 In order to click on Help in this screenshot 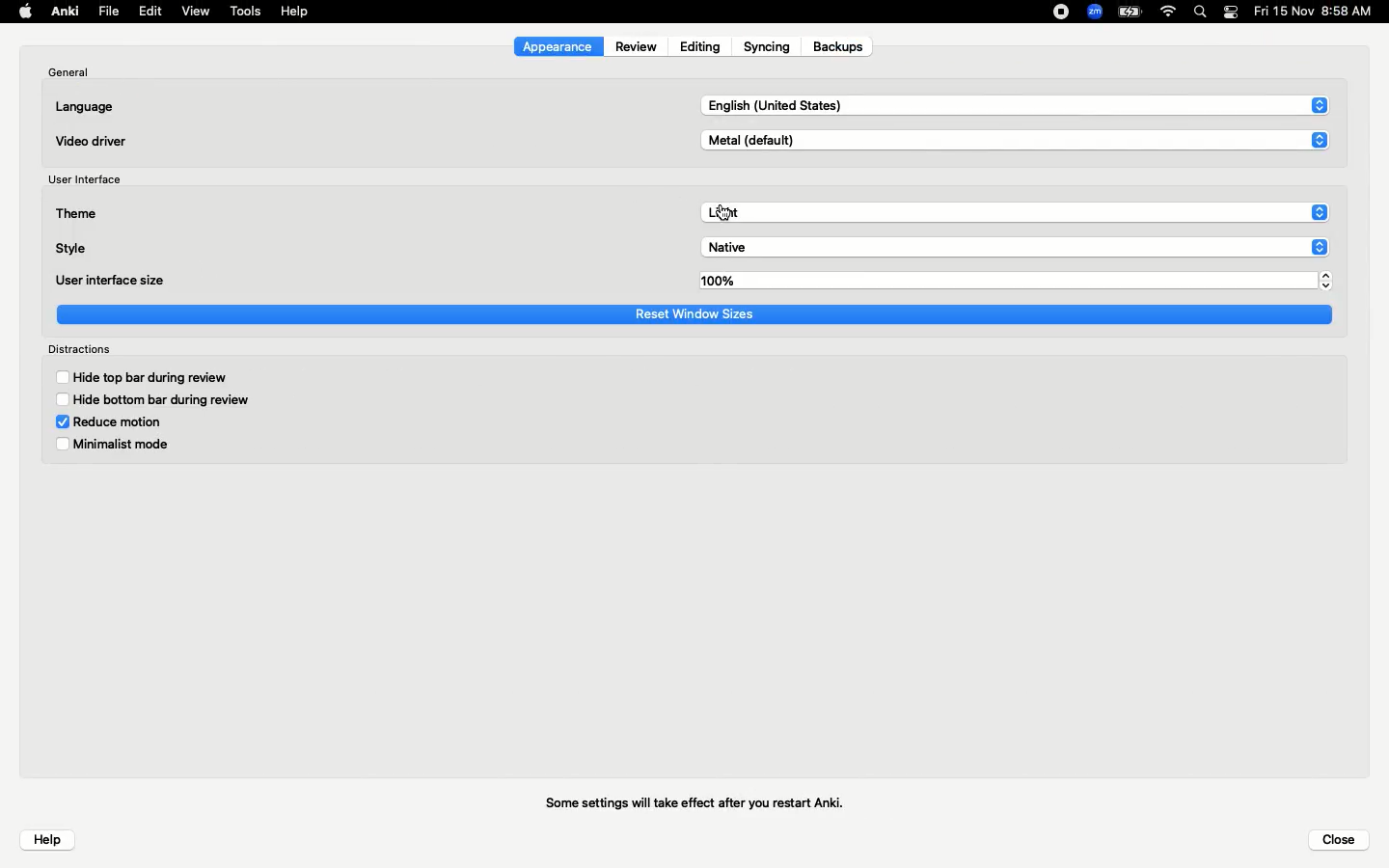, I will do `click(296, 12)`.